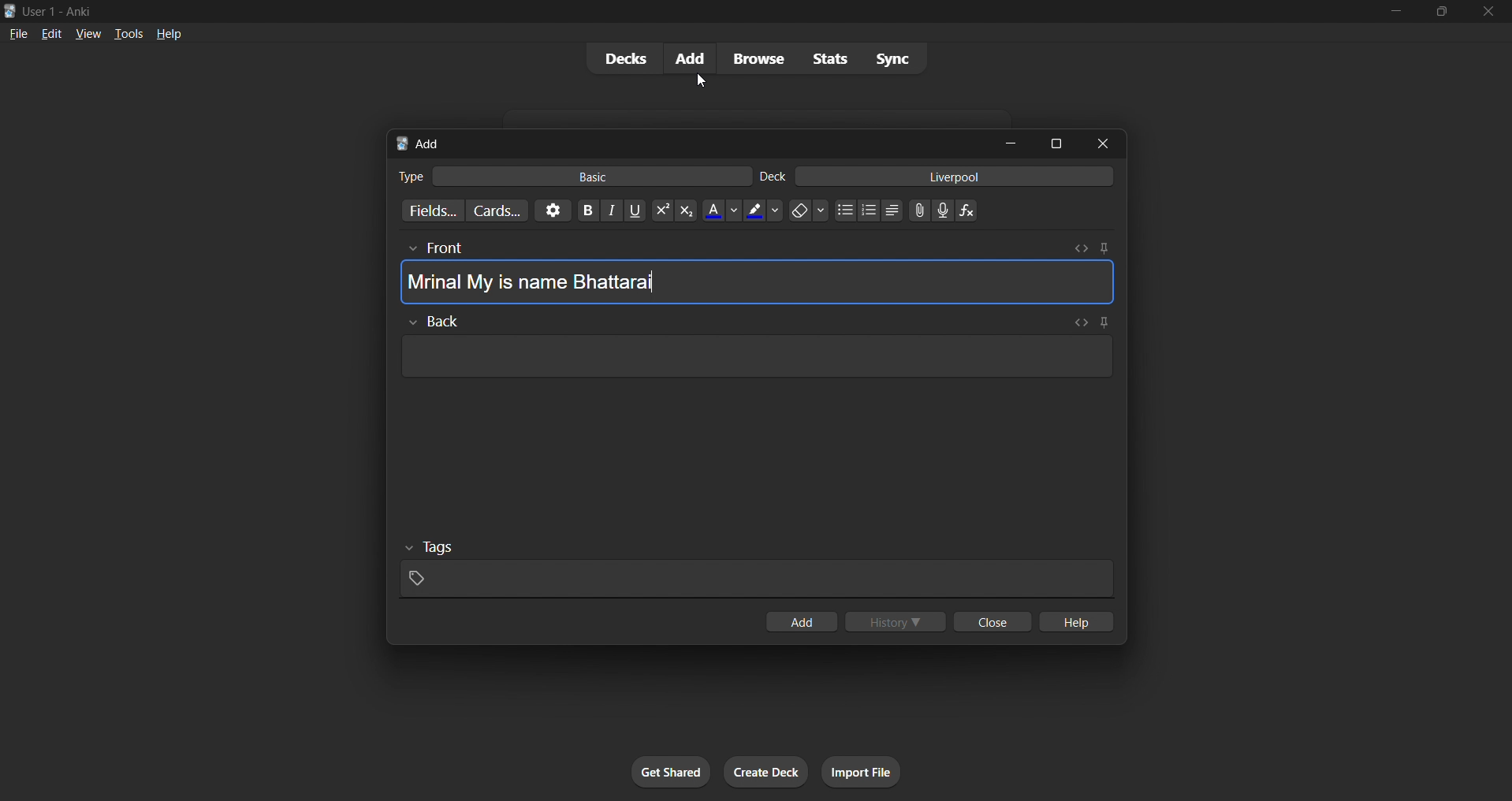 This screenshot has width=1512, height=801. What do you see at coordinates (967, 207) in the screenshot?
I see `insert equation` at bounding box center [967, 207].